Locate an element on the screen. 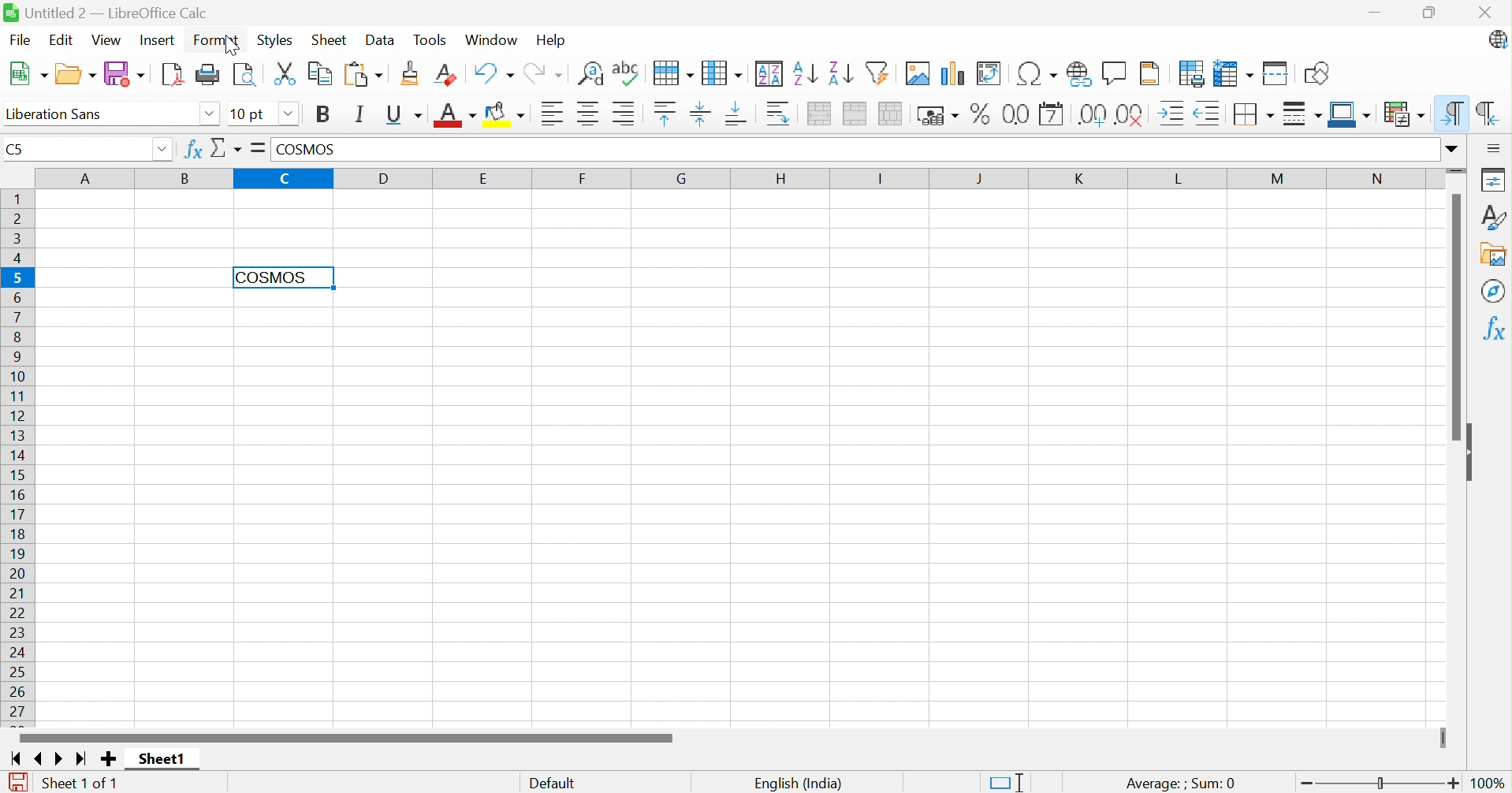 This screenshot has height=793, width=1512. Redo is located at coordinates (545, 72).